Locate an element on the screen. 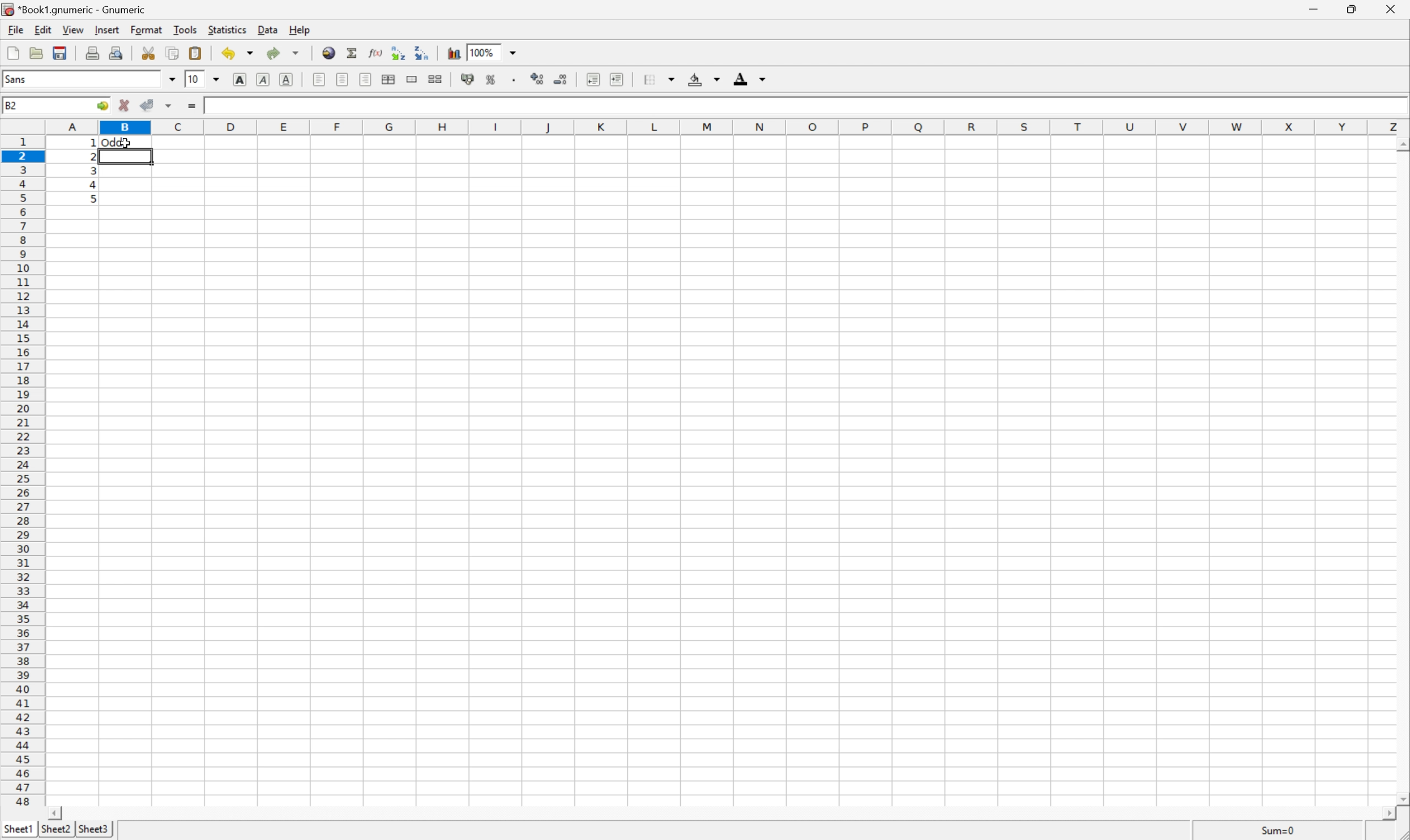 This screenshot has width=1410, height=840. Borders is located at coordinates (657, 78).